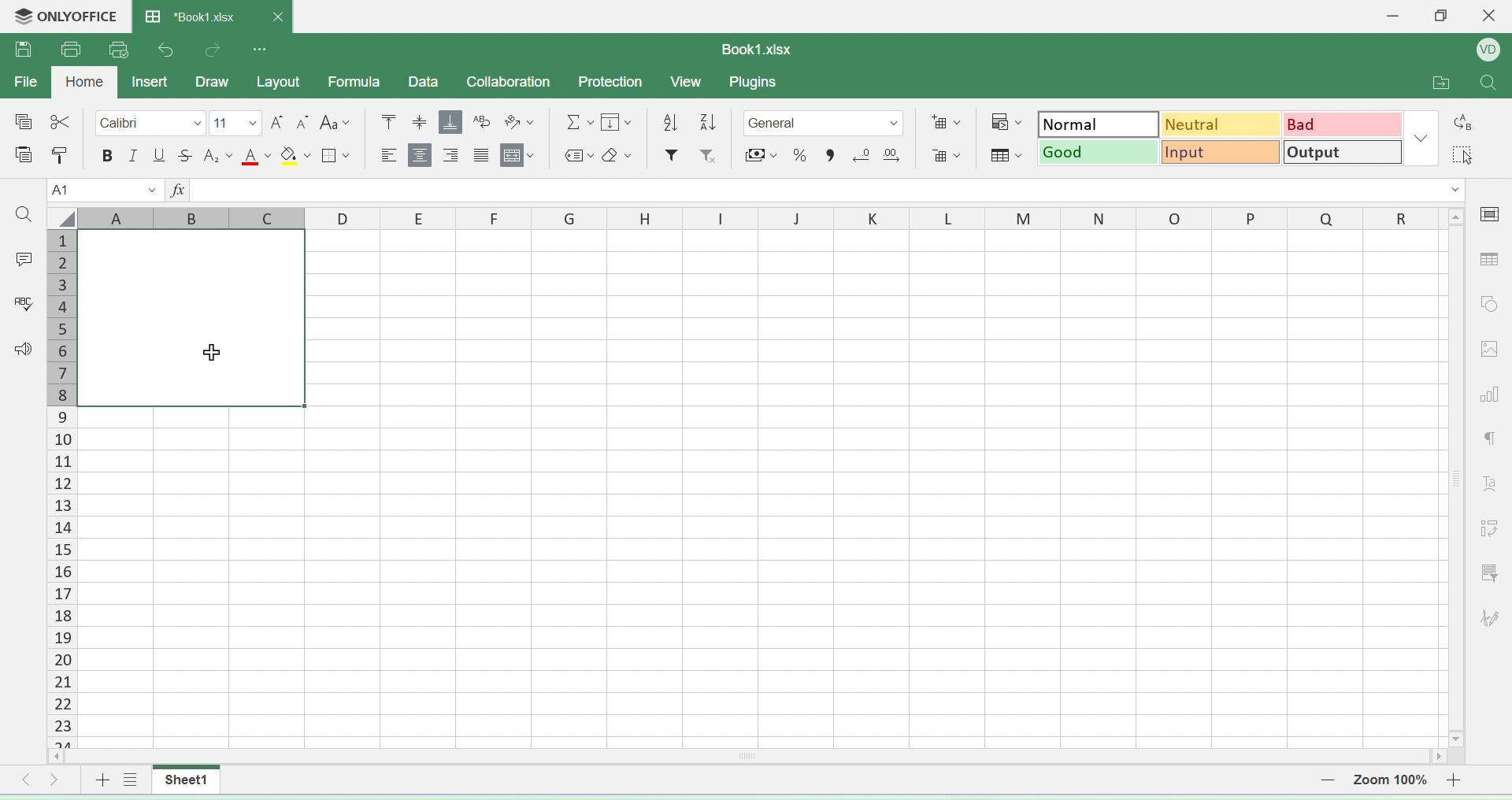 This screenshot has height=800, width=1512. I want to click on align right, so click(454, 154).